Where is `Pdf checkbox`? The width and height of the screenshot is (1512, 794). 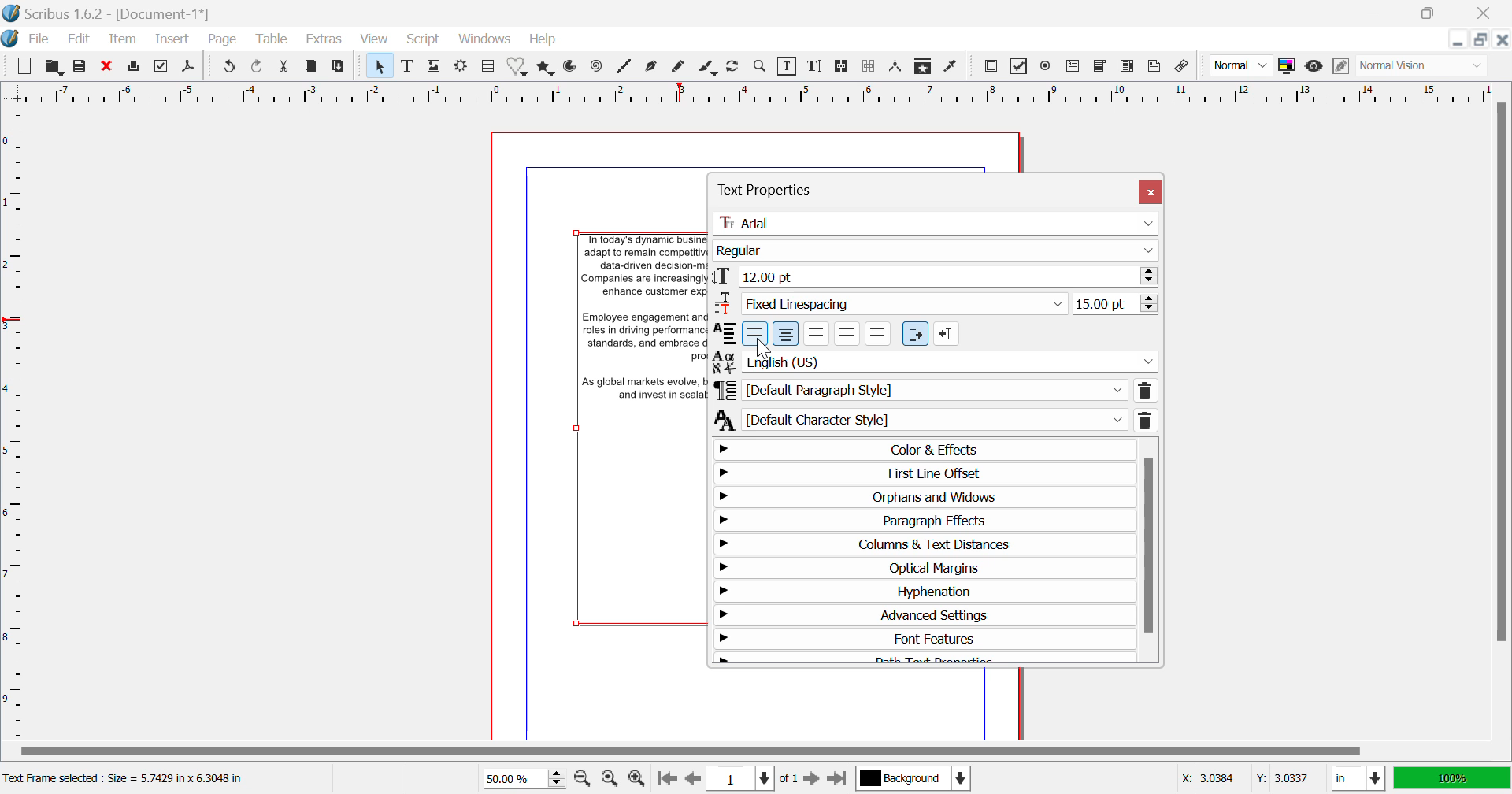
Pdf checkbox is located at coordinates (1020, 66).